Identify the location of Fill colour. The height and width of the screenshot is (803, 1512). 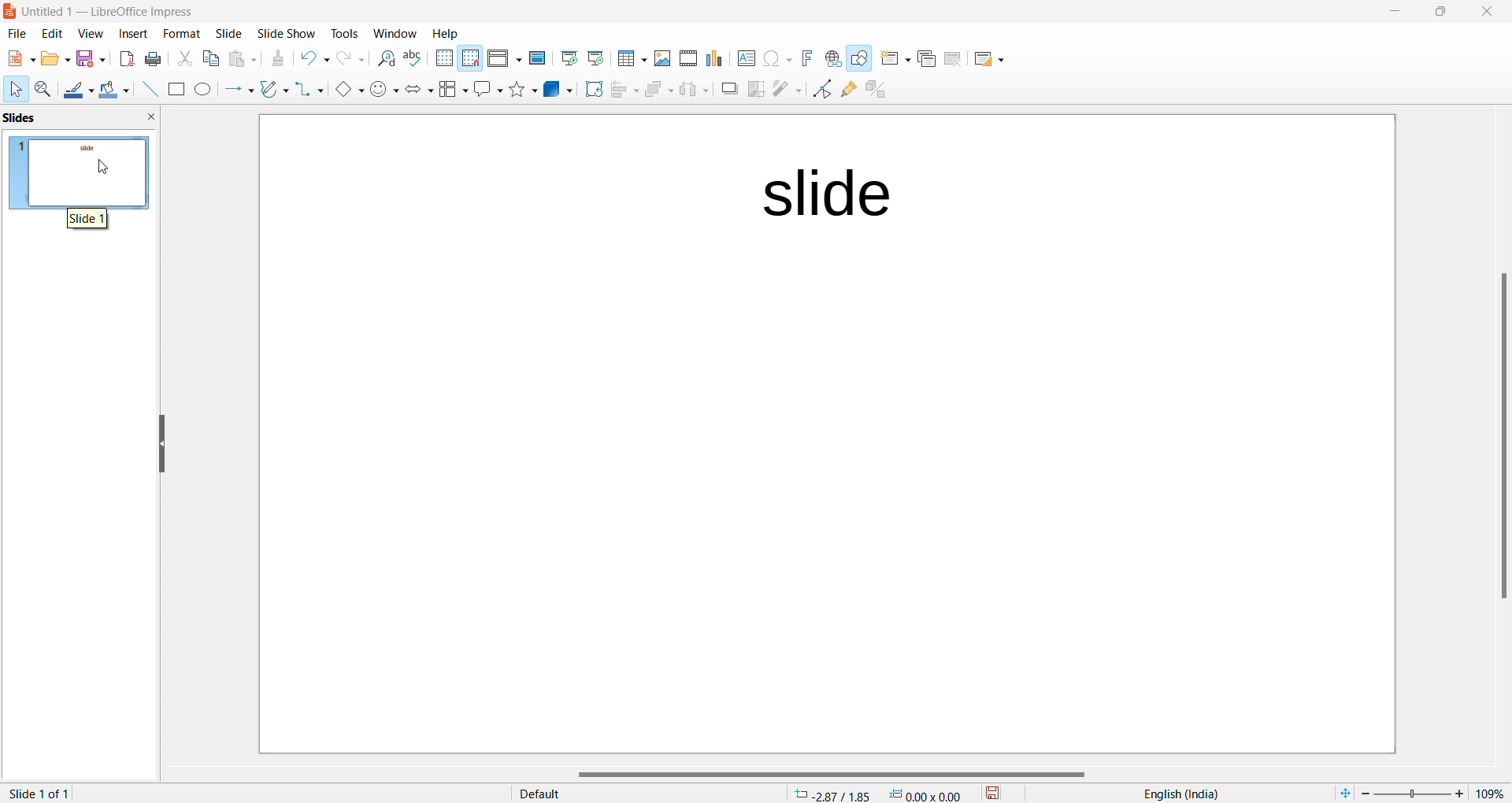
(112, 89).